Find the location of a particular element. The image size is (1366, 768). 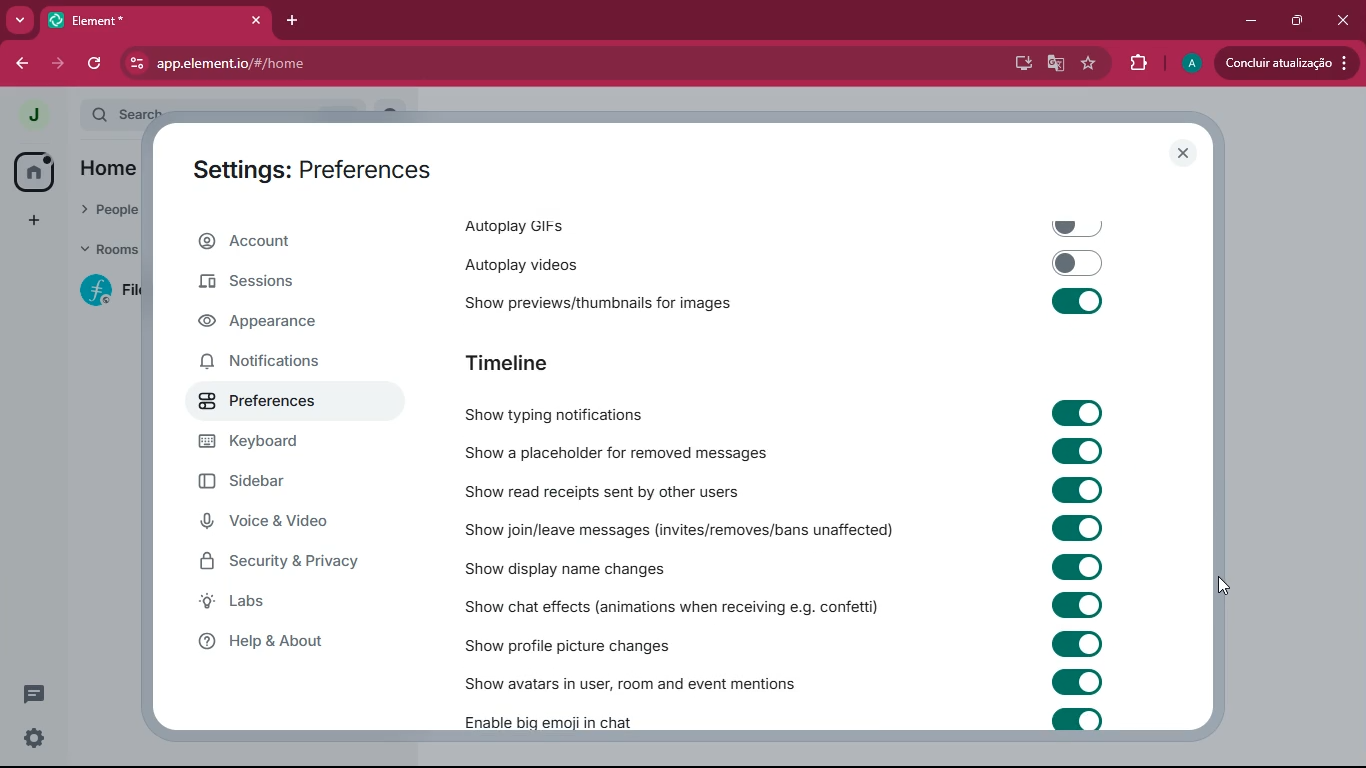

url is located at coordinates (289, 64).